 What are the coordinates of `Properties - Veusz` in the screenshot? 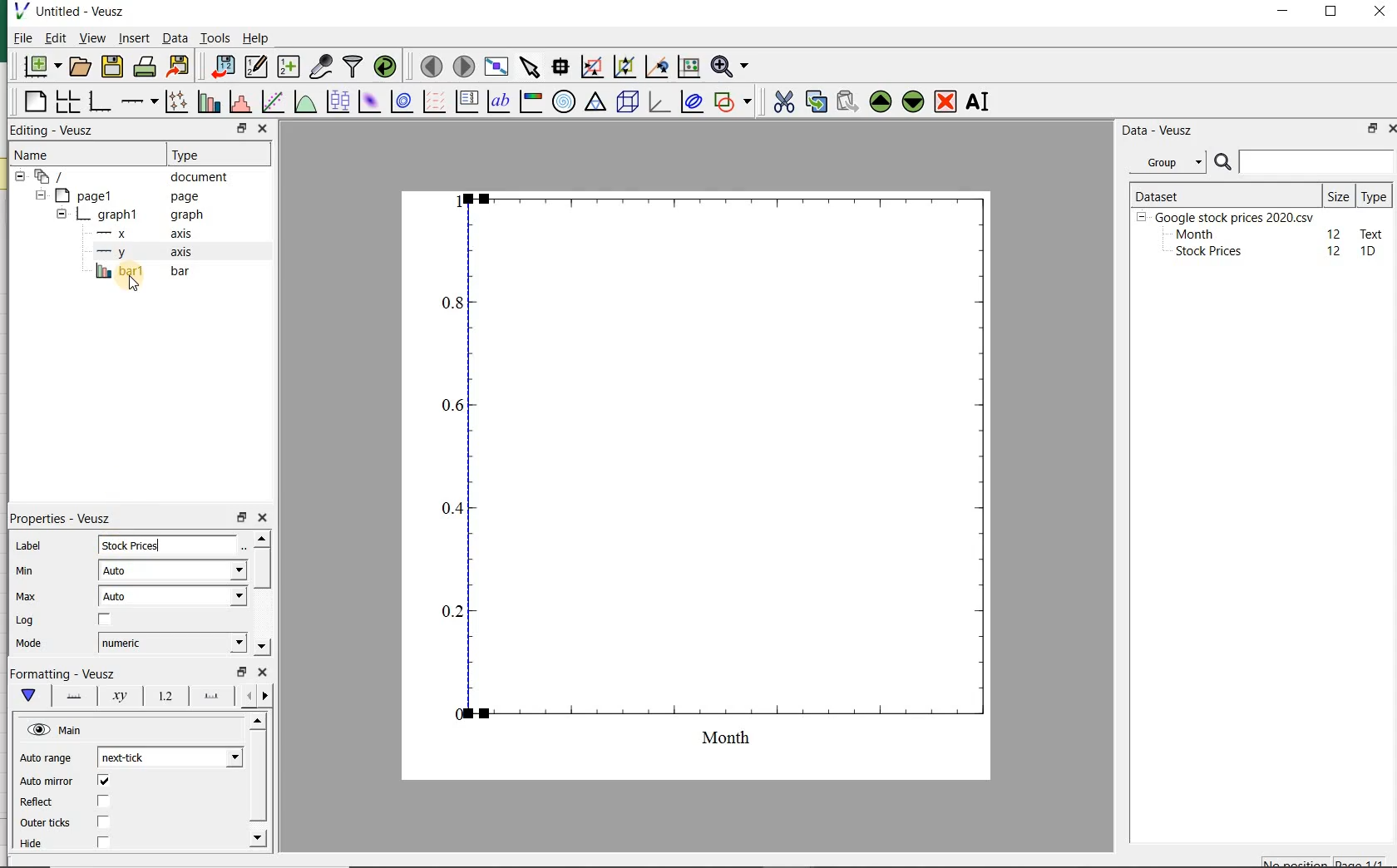 It's located at (66, 520).